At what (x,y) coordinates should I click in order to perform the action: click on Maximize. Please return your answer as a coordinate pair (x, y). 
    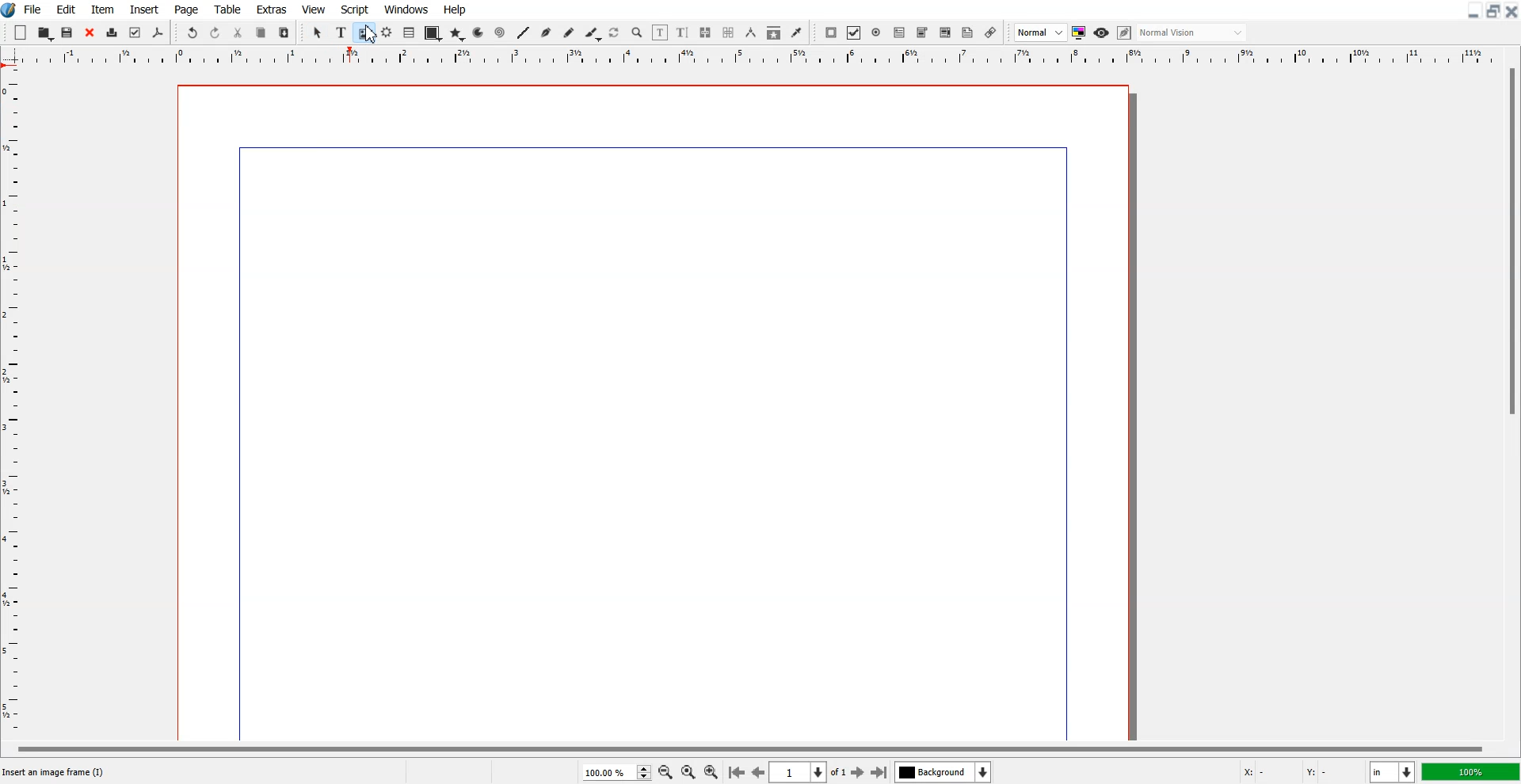
    Looking at the image, I should click on (1492, 11).